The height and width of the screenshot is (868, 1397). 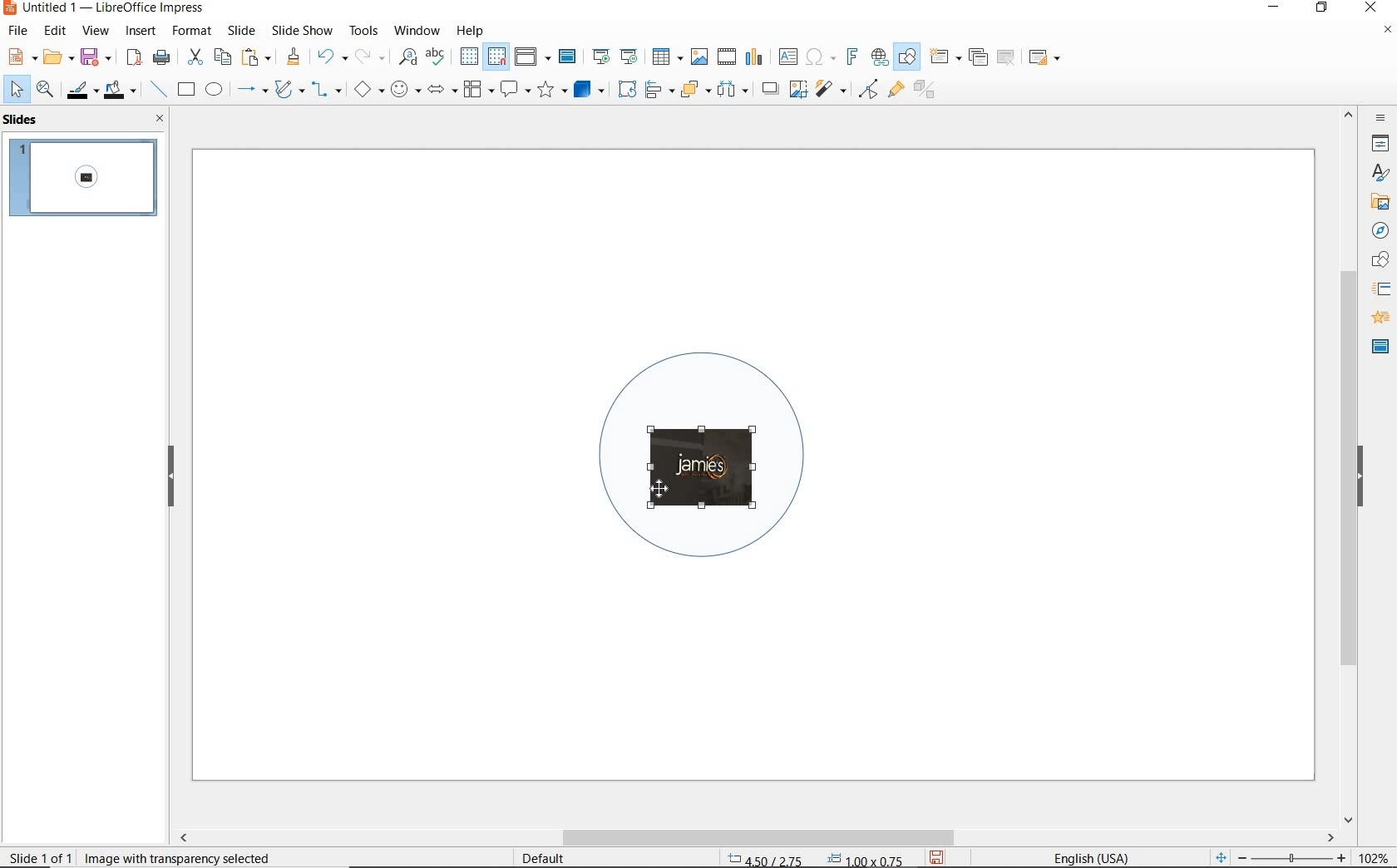 I want to click on view, so click(x=96, y=31).